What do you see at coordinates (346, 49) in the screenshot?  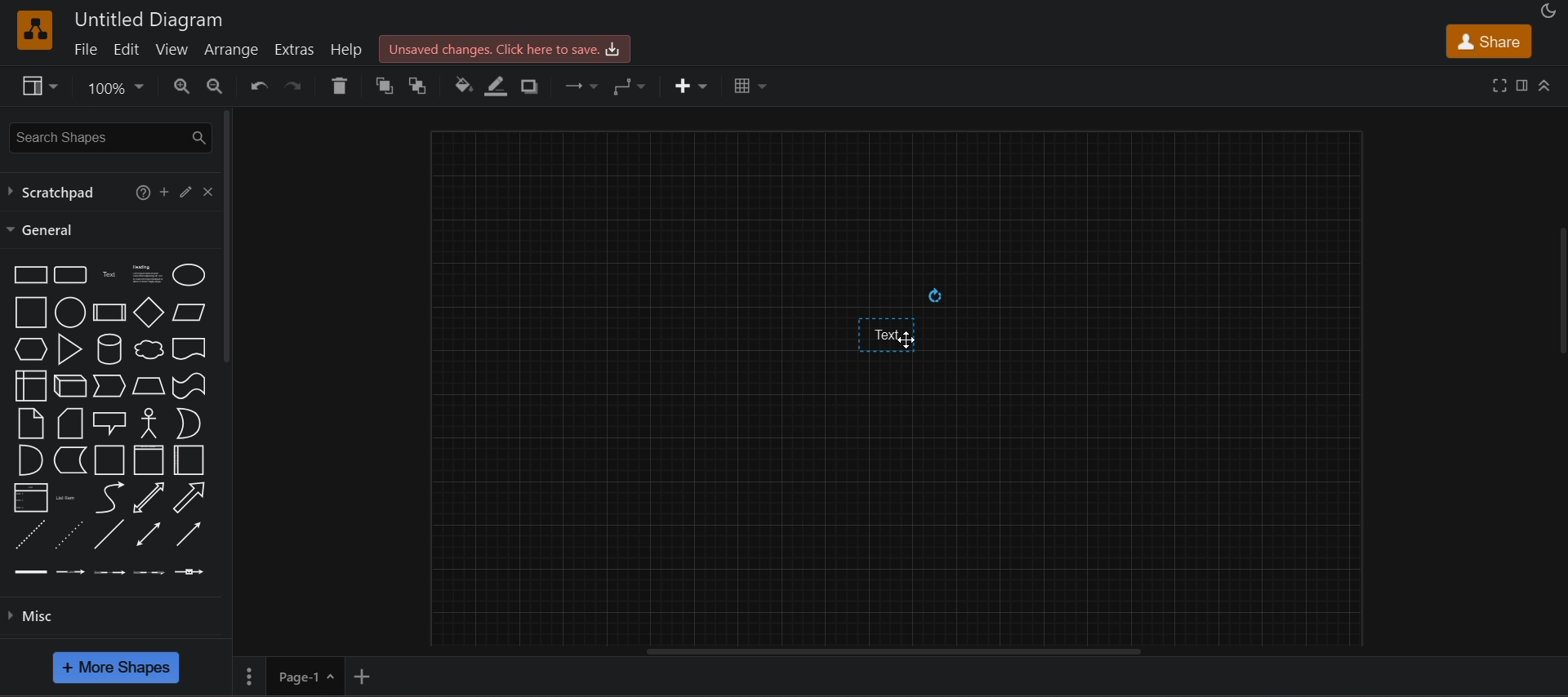 I see `help` at bounding box center [346, 49].